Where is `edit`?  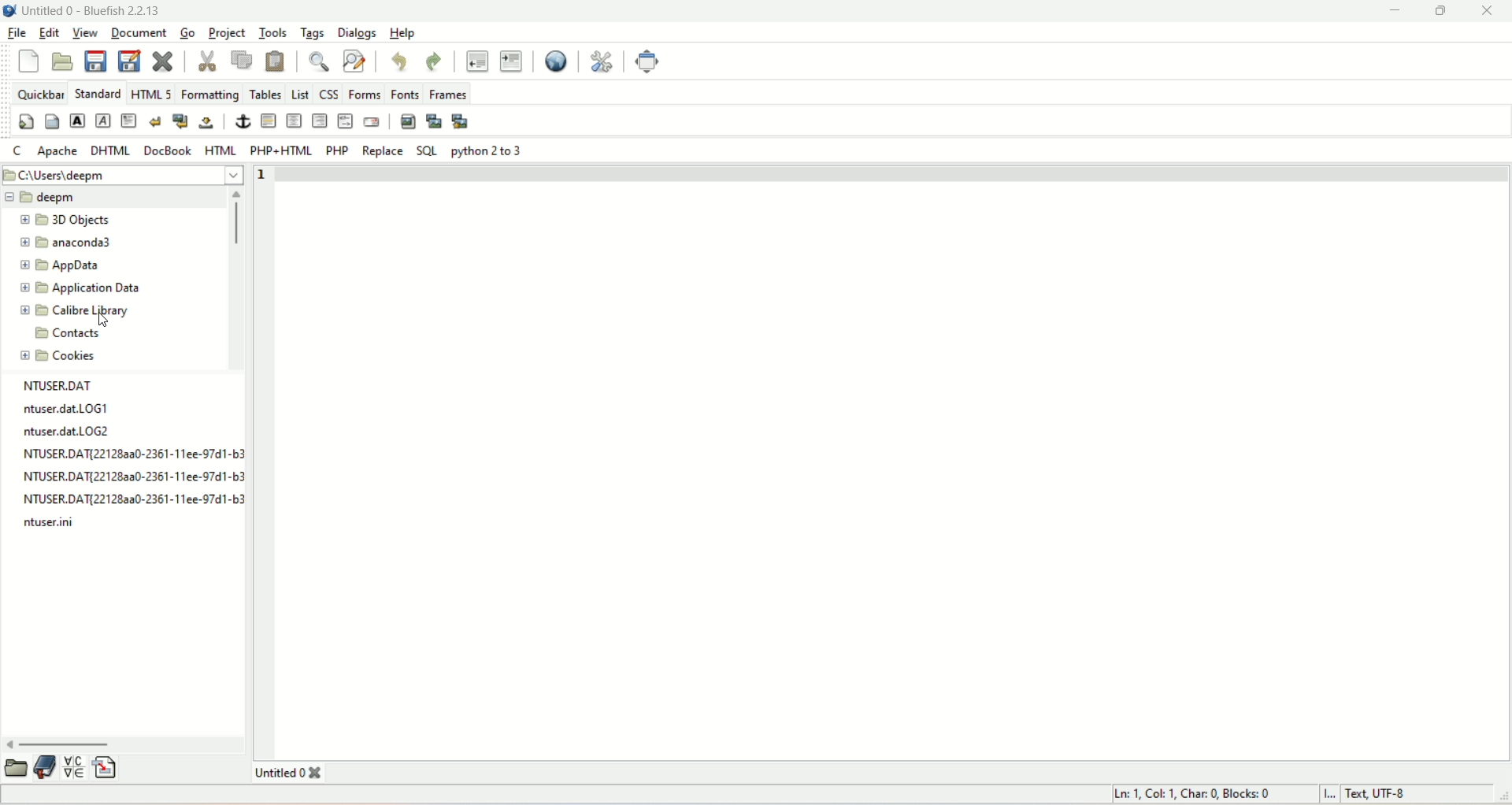 edit is located at coordinates (48, 33).